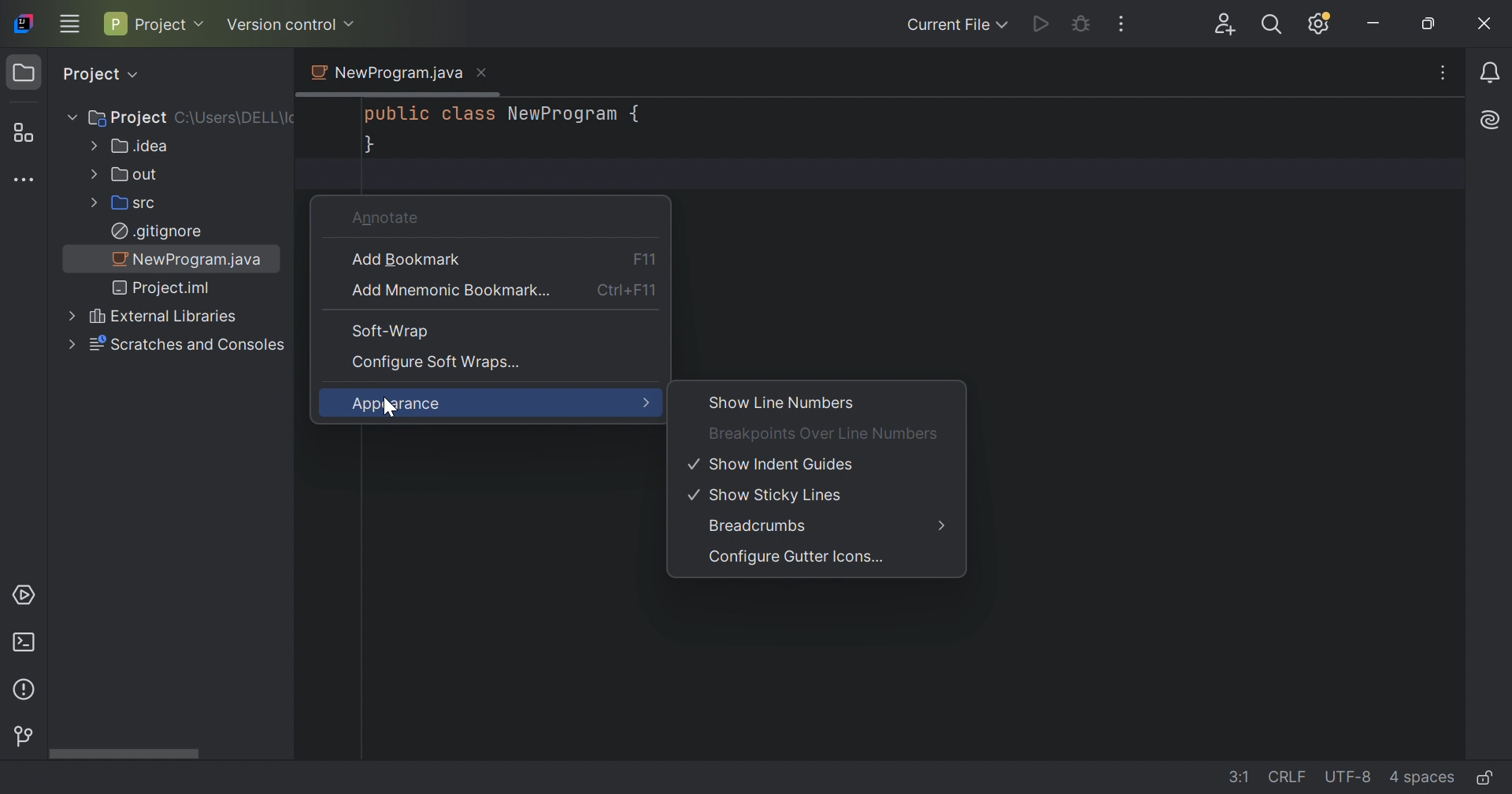 The height and width of the screenshot is (794, 1512). Describe the element at coordinates (202, 24) in the screenshot. I see `Drop Down` at that location.